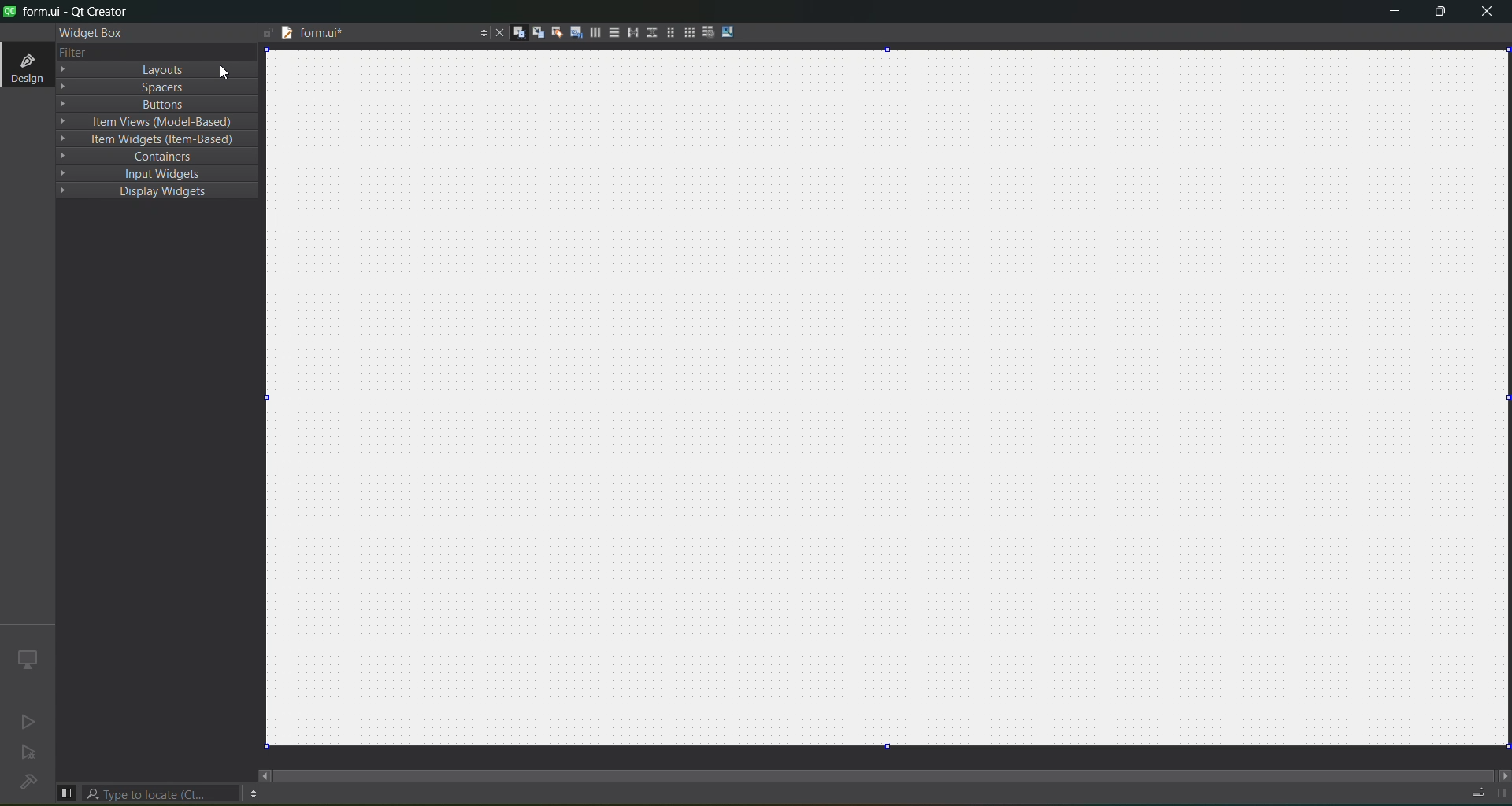  What do you see at coordinates (613, 32) in the screenshot?
I see `vertical layout` at bounding box center [613, 32].